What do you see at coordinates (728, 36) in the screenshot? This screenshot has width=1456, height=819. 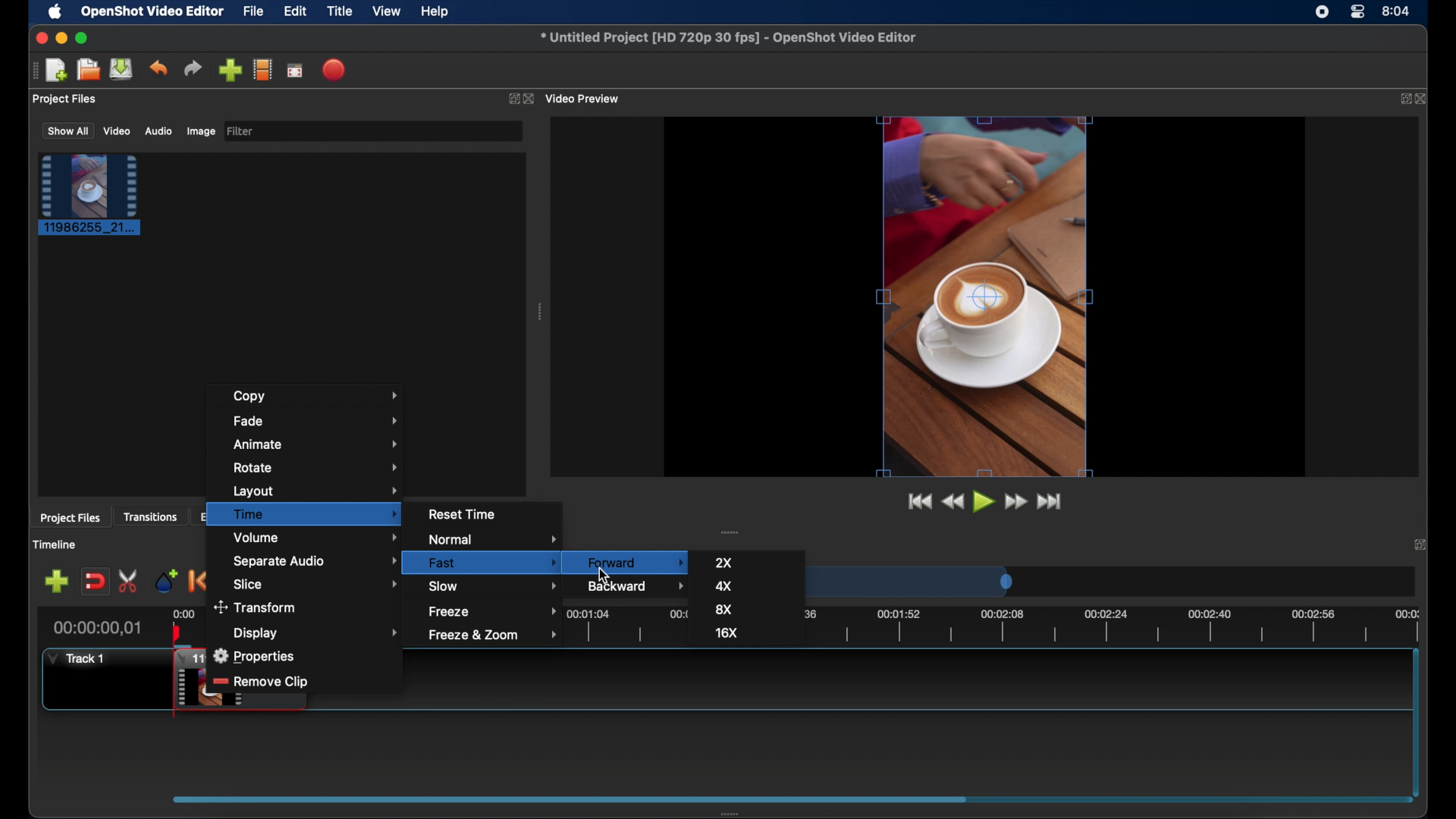 I see `file name` at bounding box center [728, 36].